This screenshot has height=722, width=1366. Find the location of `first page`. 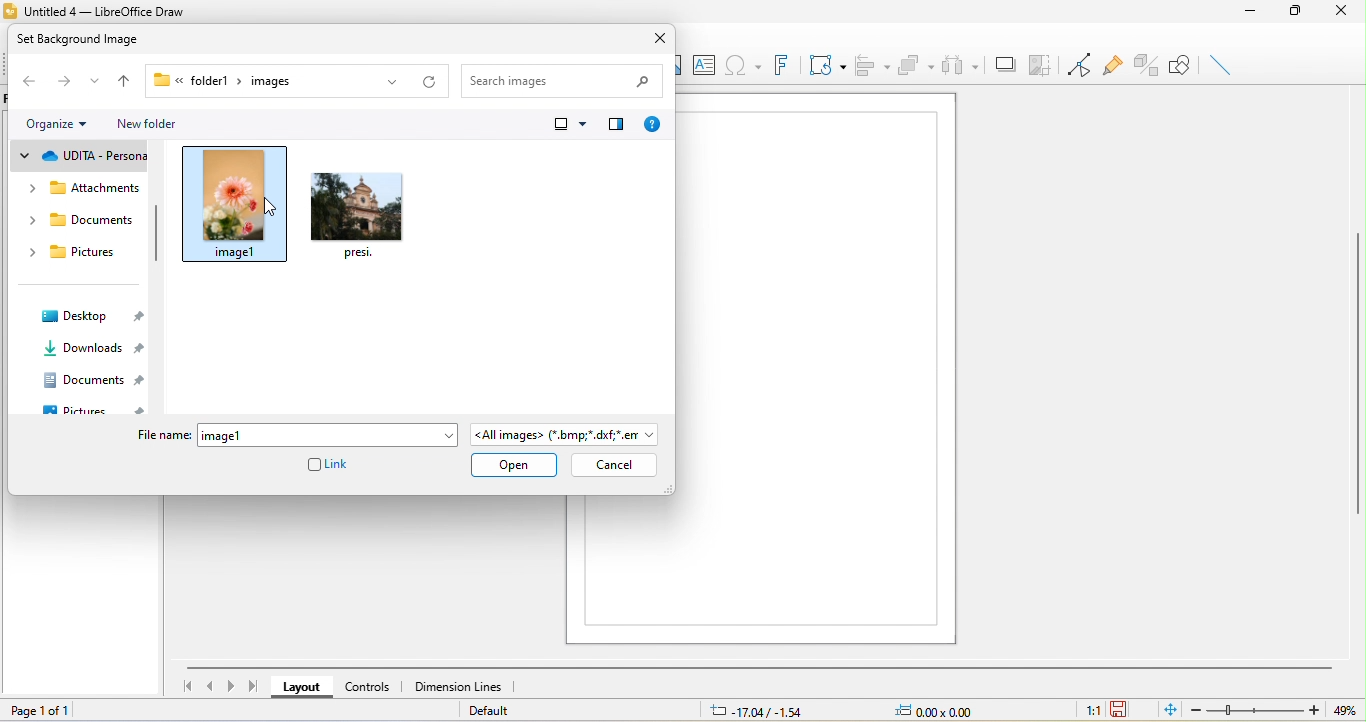

first page is located at coordinates (183, 686).